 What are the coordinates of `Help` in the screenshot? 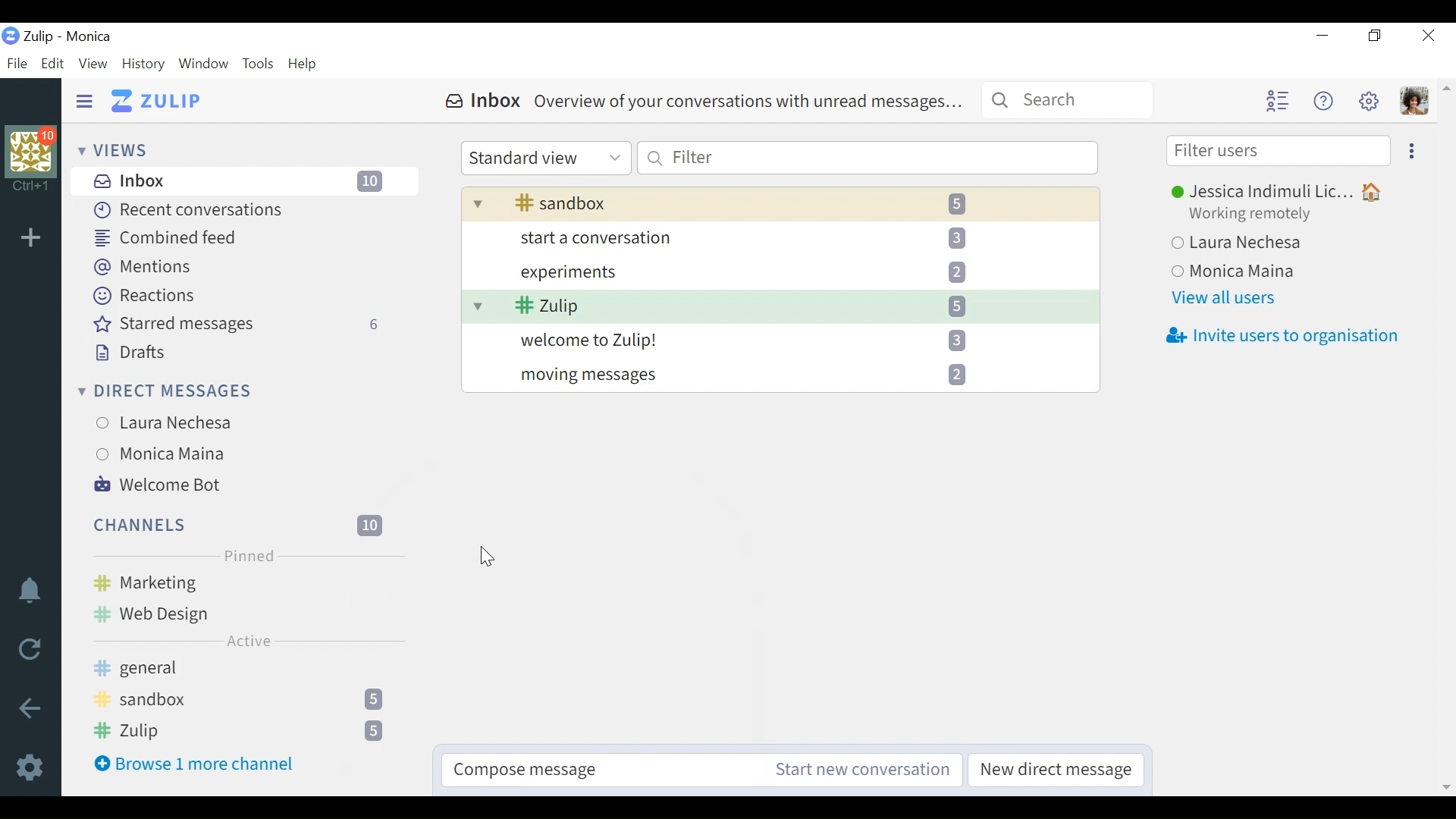 It's located at (303, 65).